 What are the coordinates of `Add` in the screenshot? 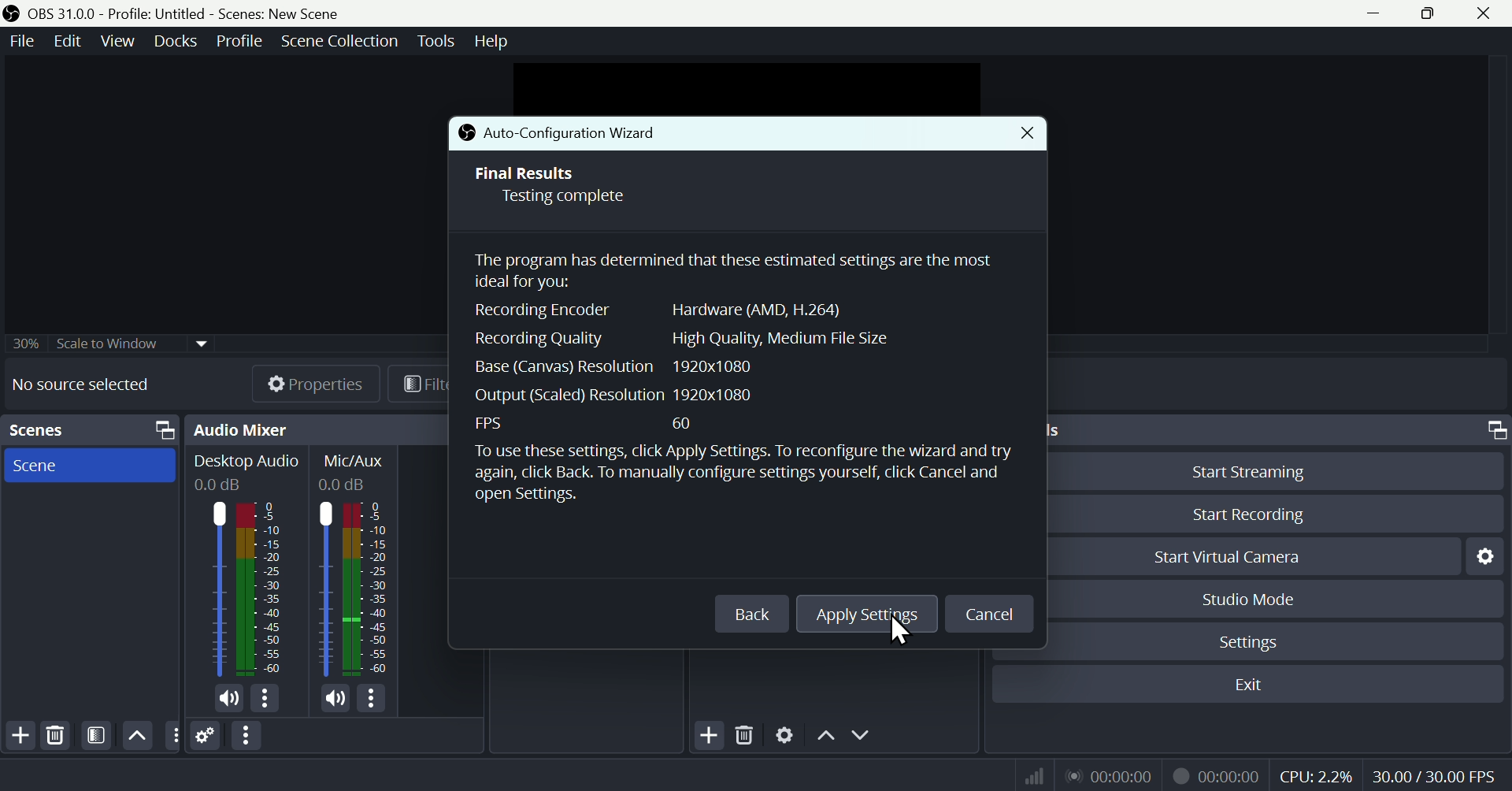 It's located at (19, 736).